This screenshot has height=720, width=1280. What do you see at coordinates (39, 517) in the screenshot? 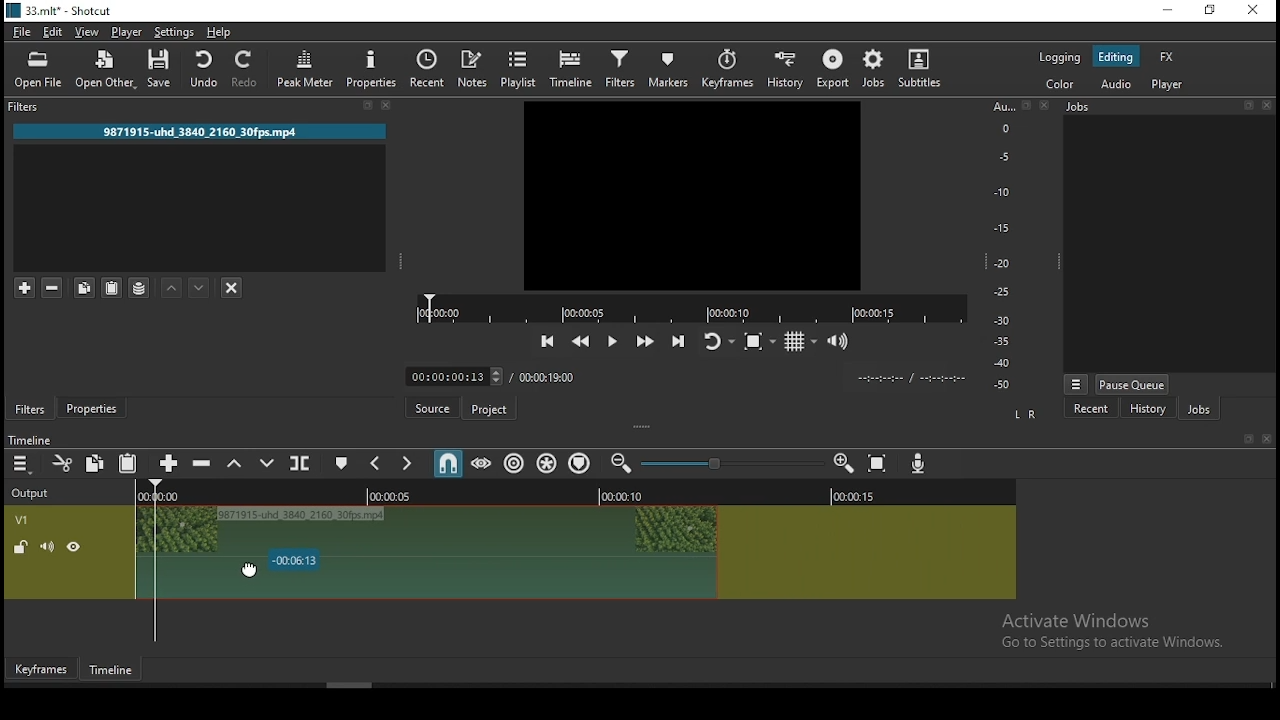
I see `VT` at bounding box center [39, 517].